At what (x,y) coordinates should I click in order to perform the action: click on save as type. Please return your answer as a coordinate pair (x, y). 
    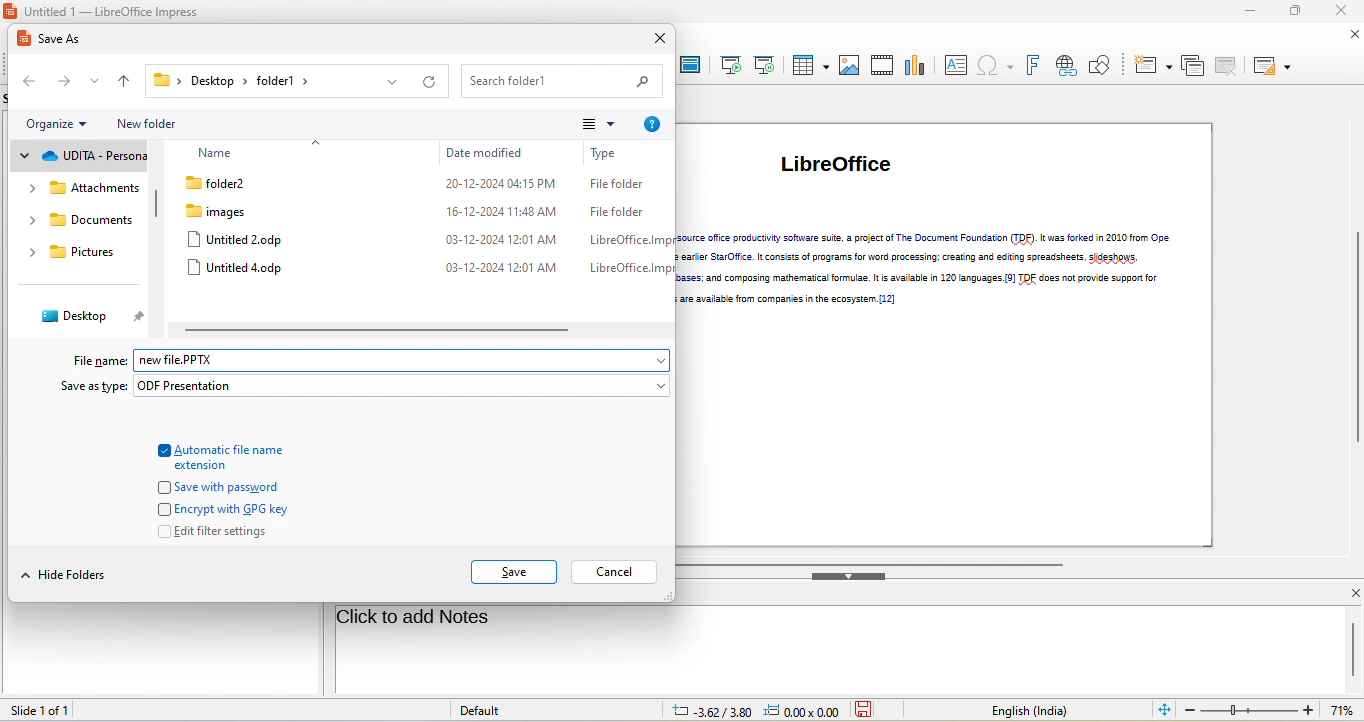
    Looking at the image, I should click on (88, 388).